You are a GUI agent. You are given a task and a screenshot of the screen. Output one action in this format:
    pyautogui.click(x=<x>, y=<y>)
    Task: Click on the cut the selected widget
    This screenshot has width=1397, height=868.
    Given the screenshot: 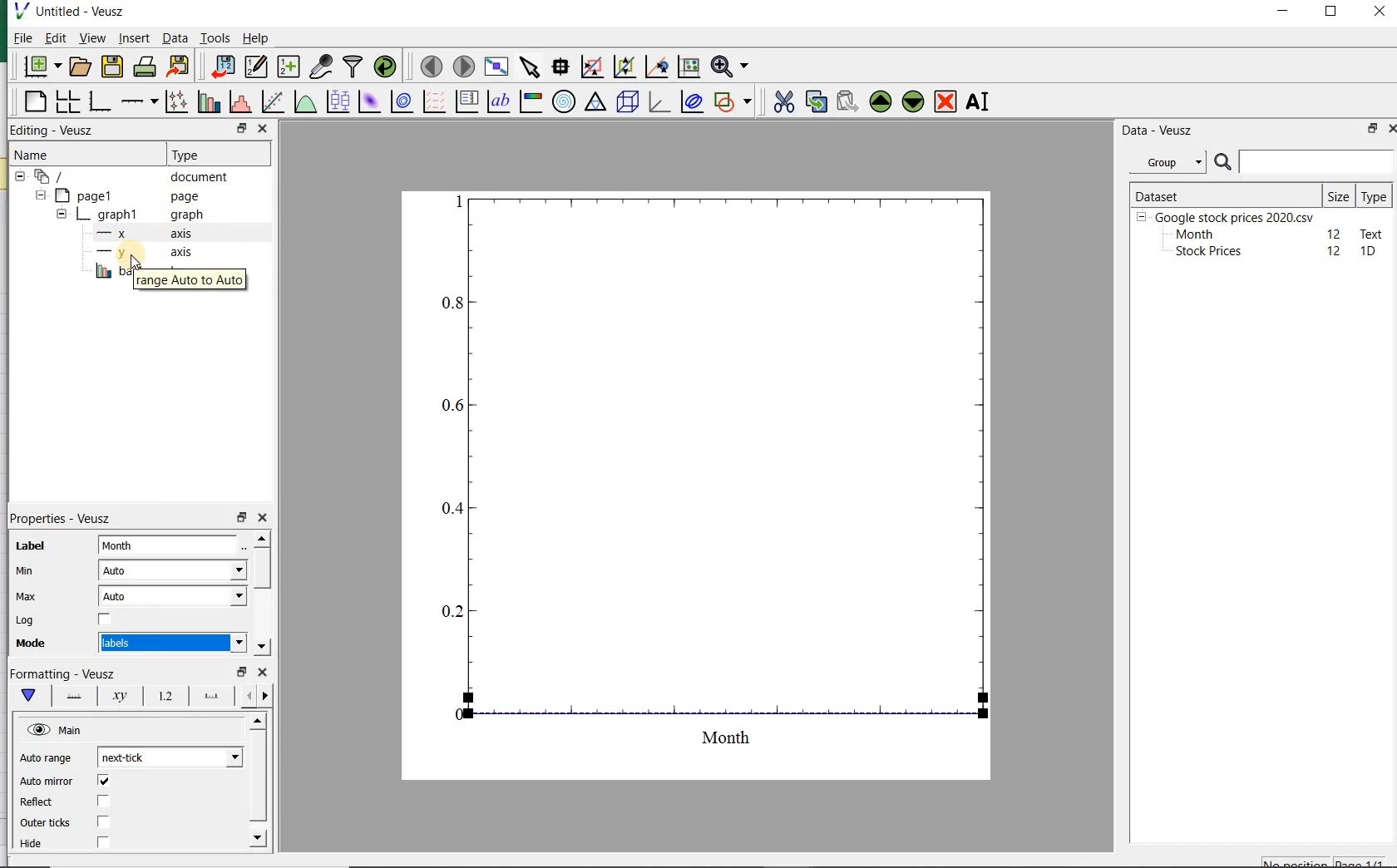 What is the action you would take?
    pyautogui.click(x=785, y=104)
    